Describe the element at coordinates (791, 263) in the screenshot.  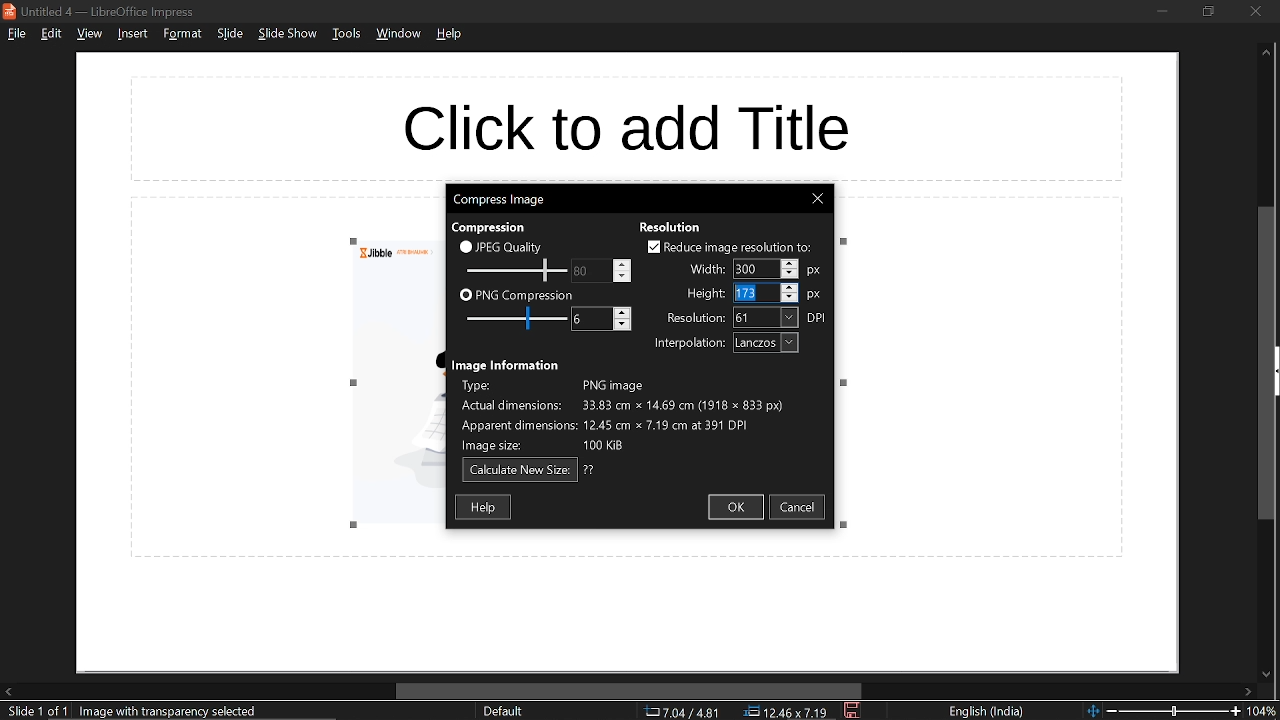
I see `Increase ` at that location.